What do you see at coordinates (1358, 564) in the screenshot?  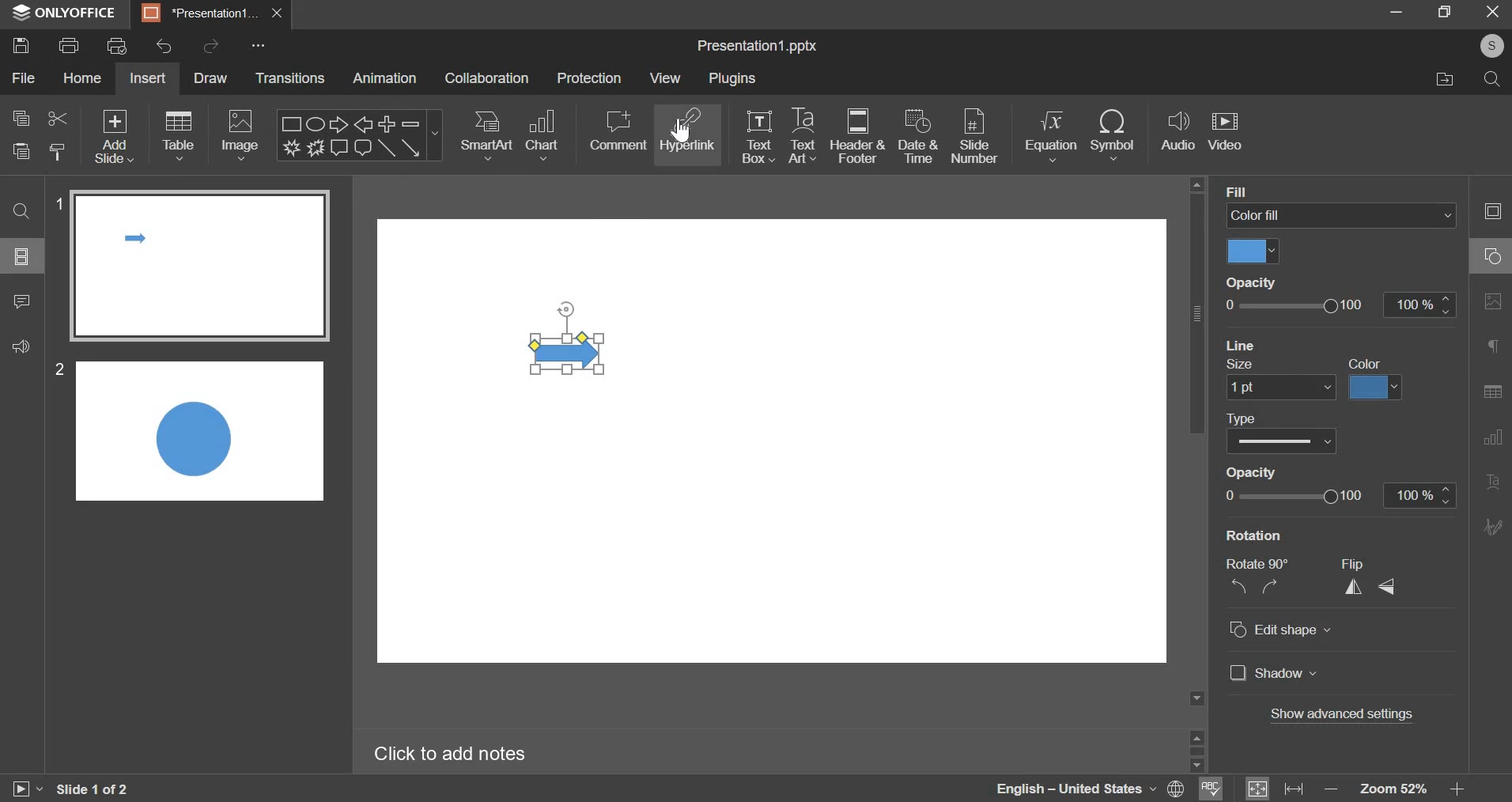 I see `Flip` at bounding box center [1358, 564].